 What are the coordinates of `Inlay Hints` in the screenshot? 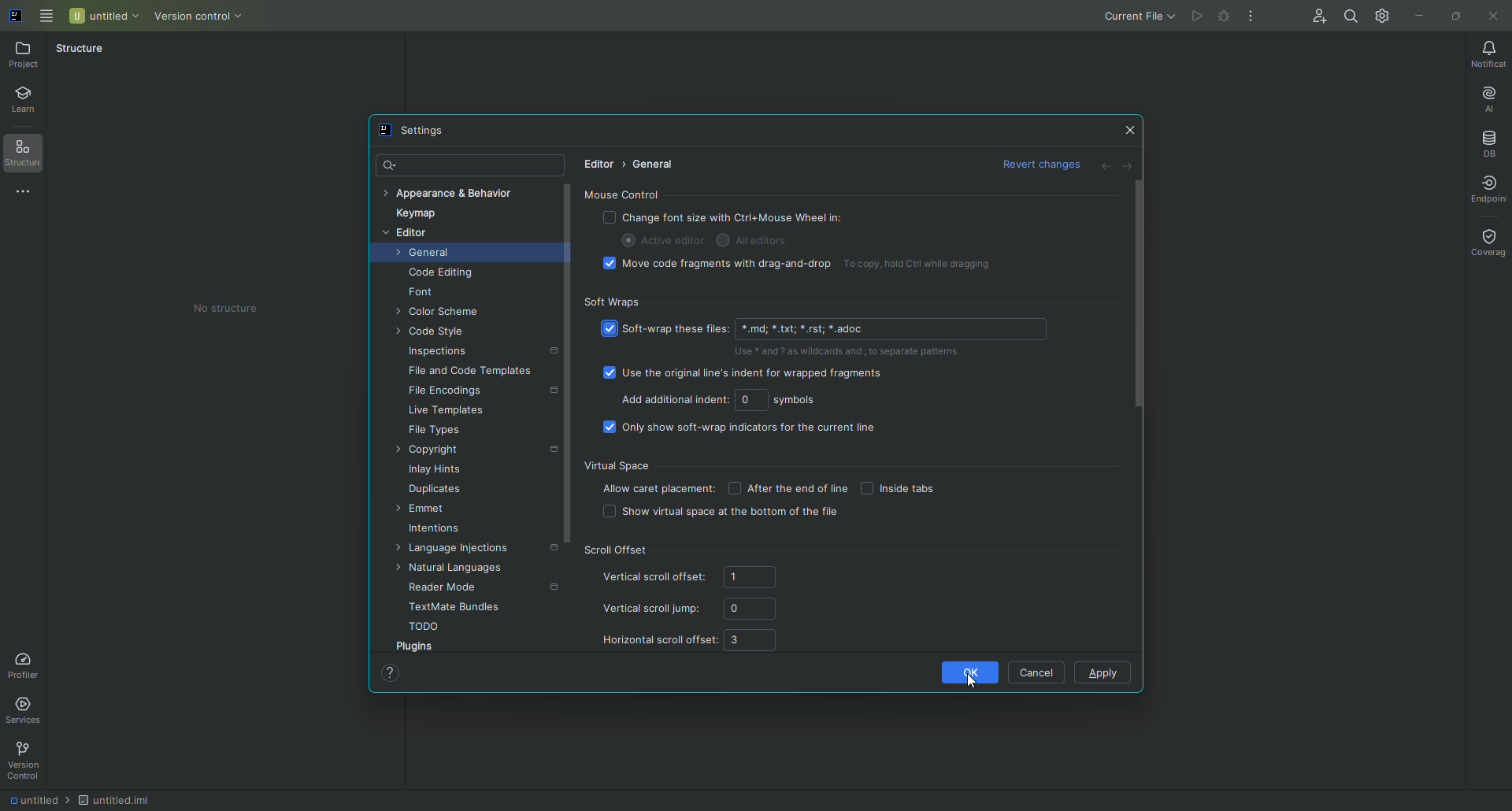 It's located at (440, 472).